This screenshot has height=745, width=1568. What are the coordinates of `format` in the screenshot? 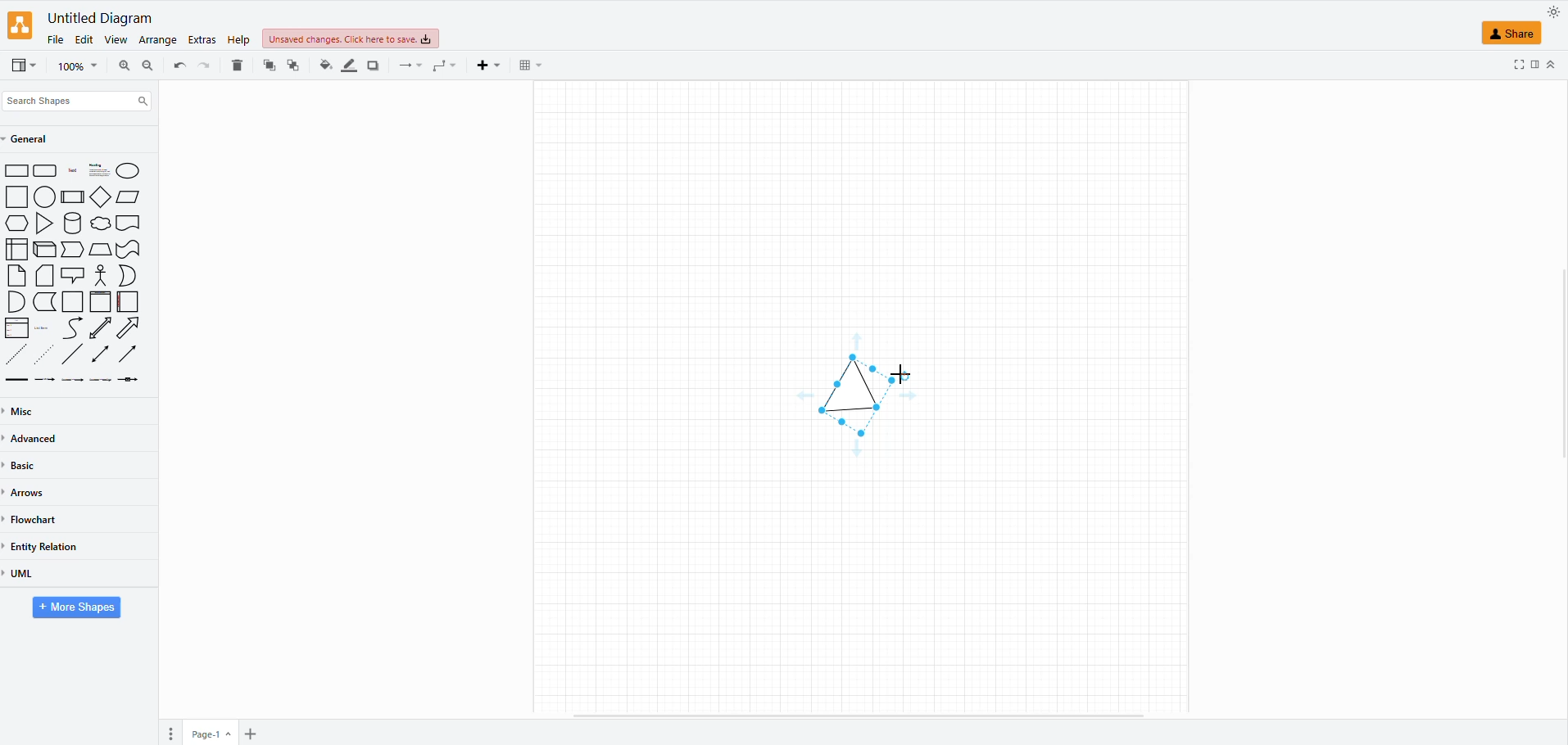 It's located at (1533, 66).